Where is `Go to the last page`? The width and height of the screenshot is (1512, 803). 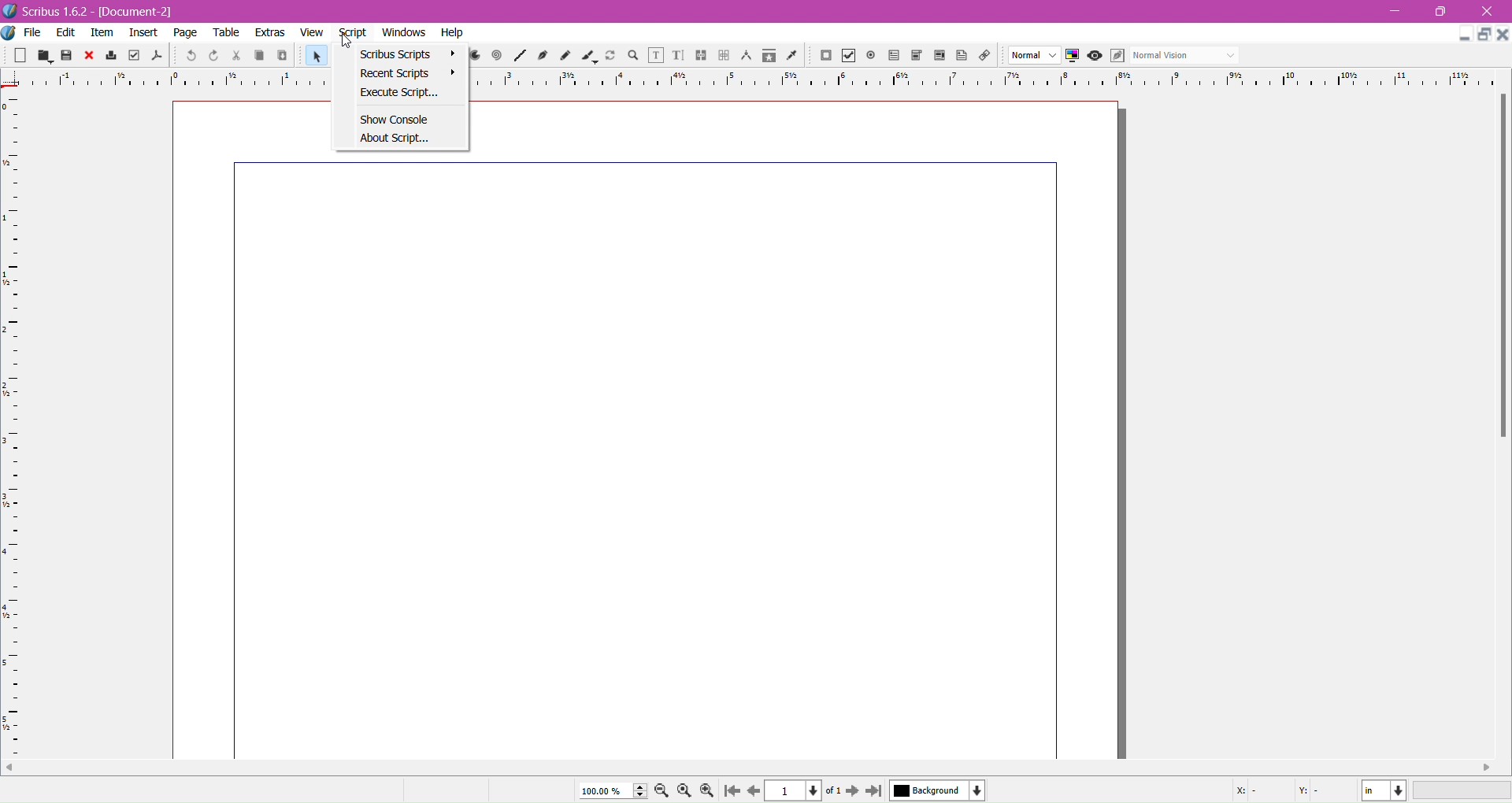 Go to the last page is located at coordinates (876, 790).